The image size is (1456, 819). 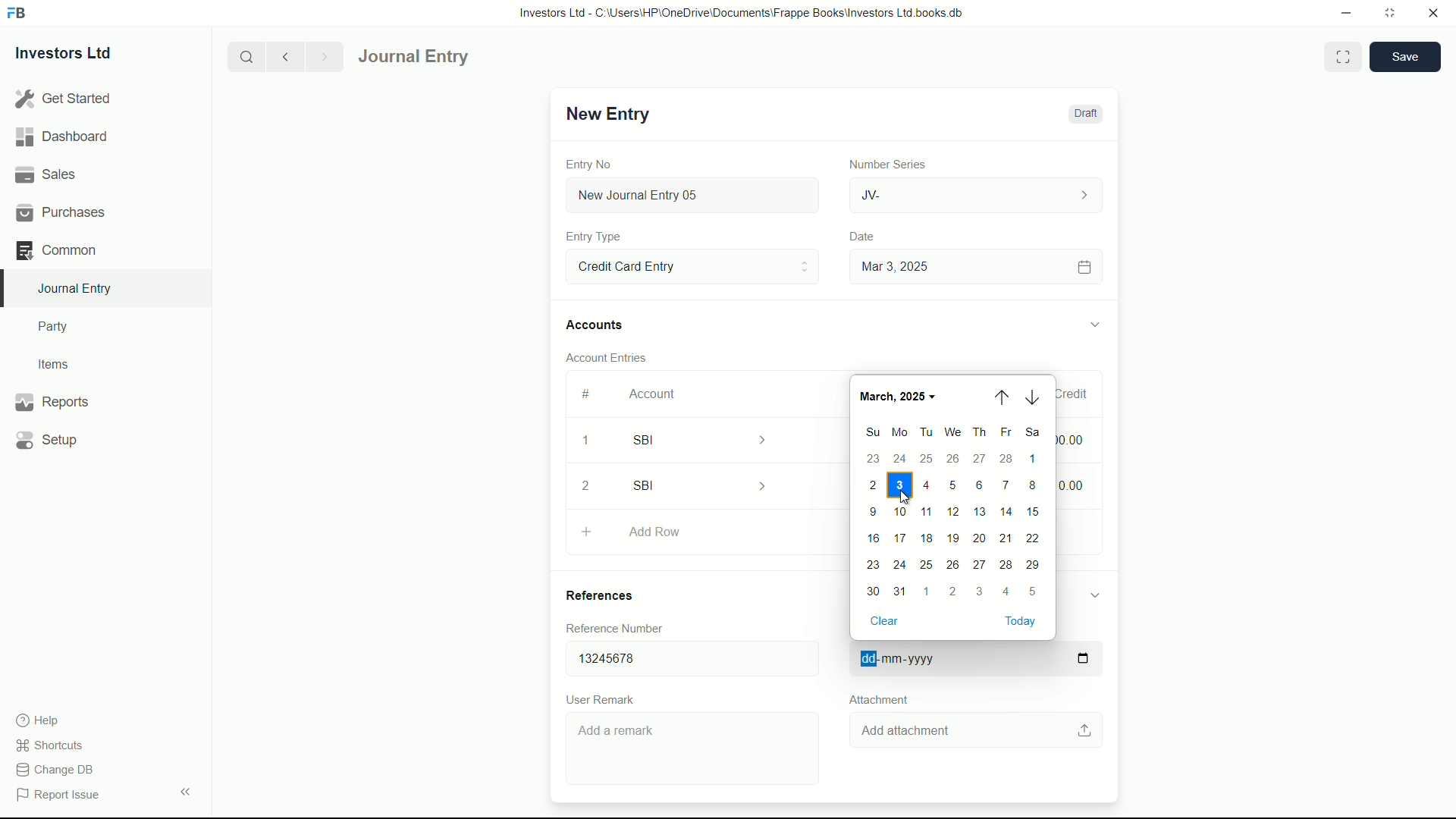 What do you see at coordinates (695, 196) in the screenshot?
I see `New Journal Entry 05` at bounding box center [695, 196].